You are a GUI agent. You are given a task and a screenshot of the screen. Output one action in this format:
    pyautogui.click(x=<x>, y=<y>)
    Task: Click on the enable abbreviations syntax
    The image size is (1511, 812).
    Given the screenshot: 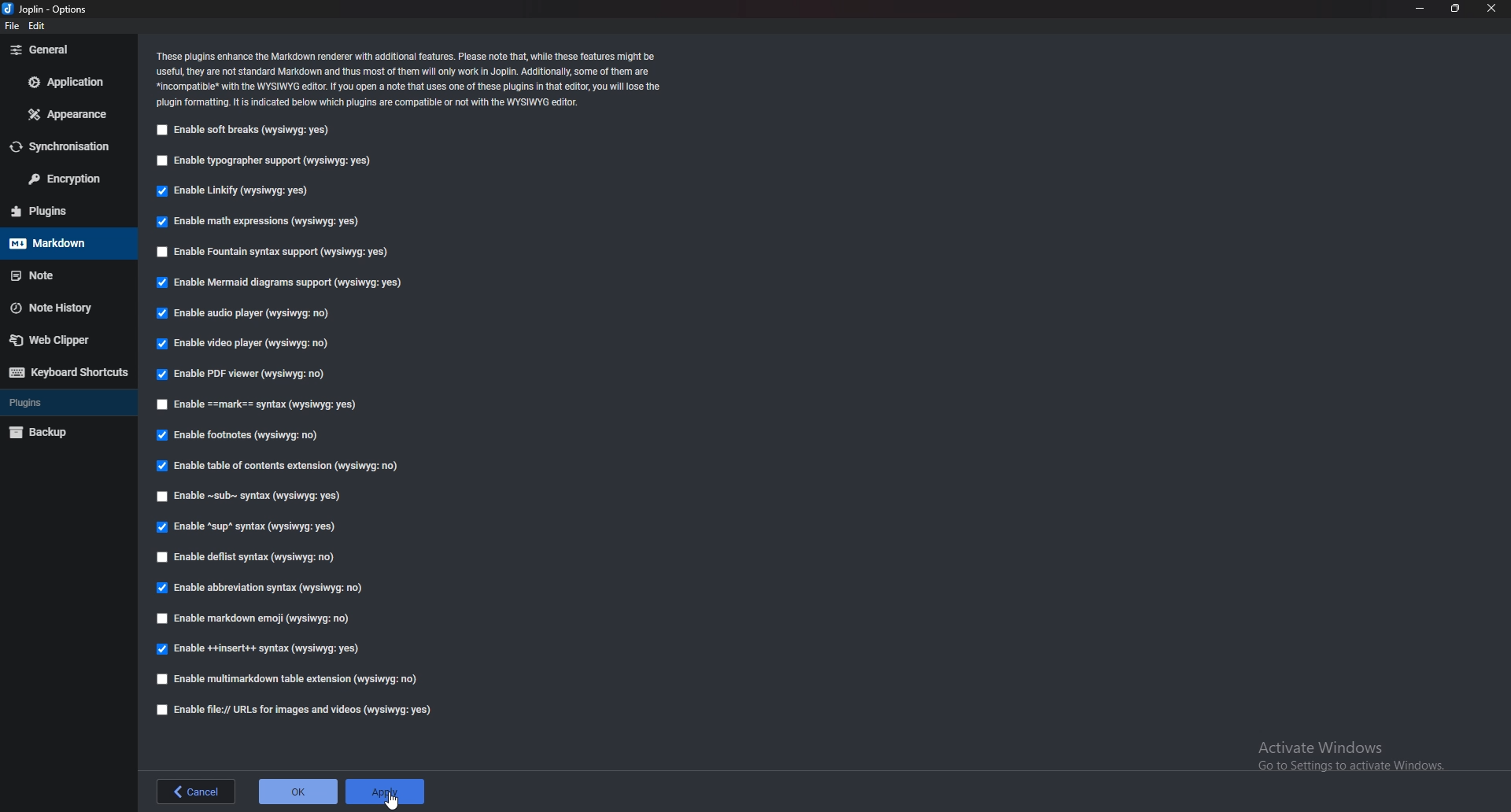 What is the action you would take?
    pyautogui.click(x=260, y=588)
    